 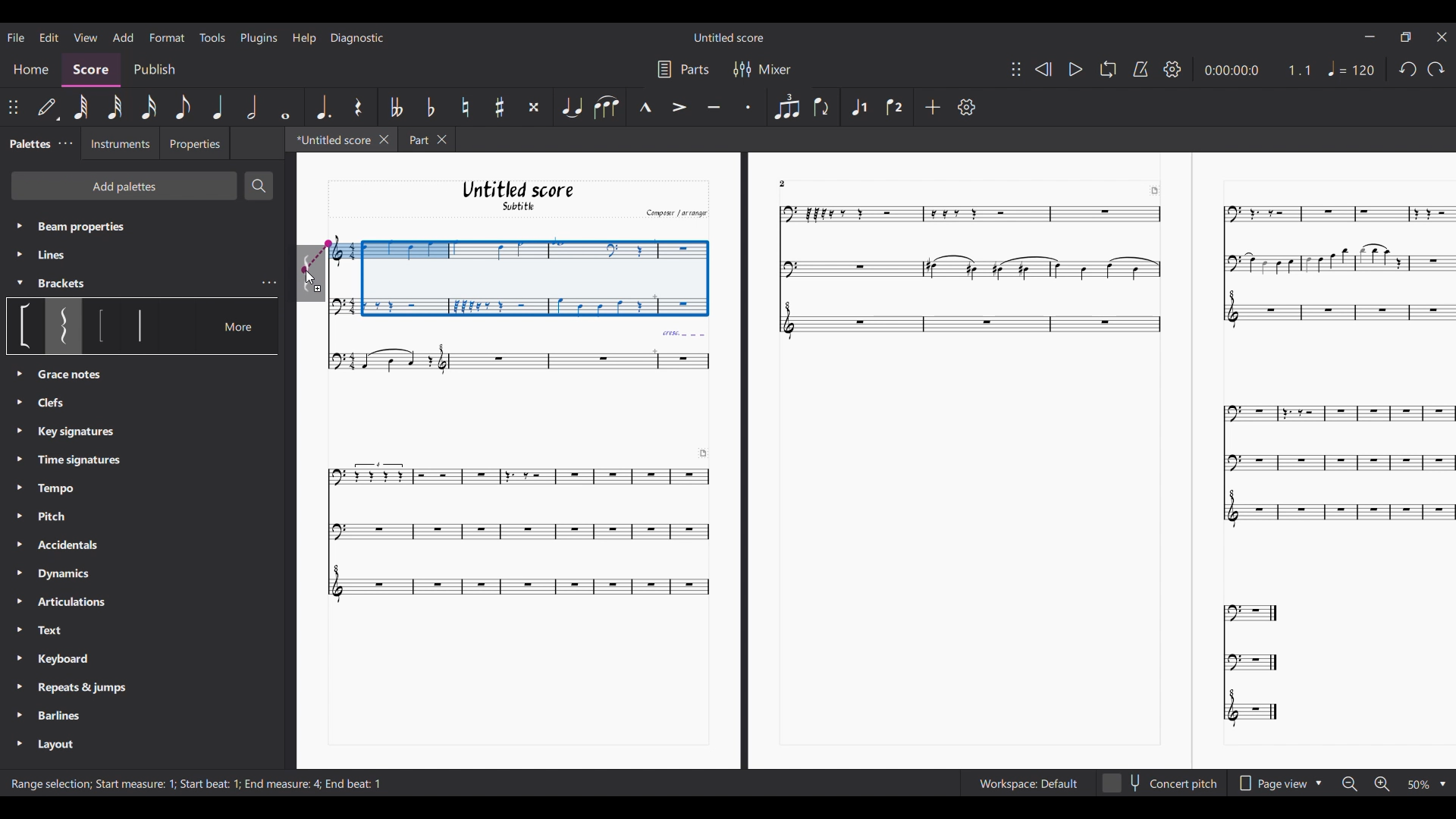 What do you see at coordinates (571, 107) in the screenshot?
I see `Tie` at bounding box center [571, 107].